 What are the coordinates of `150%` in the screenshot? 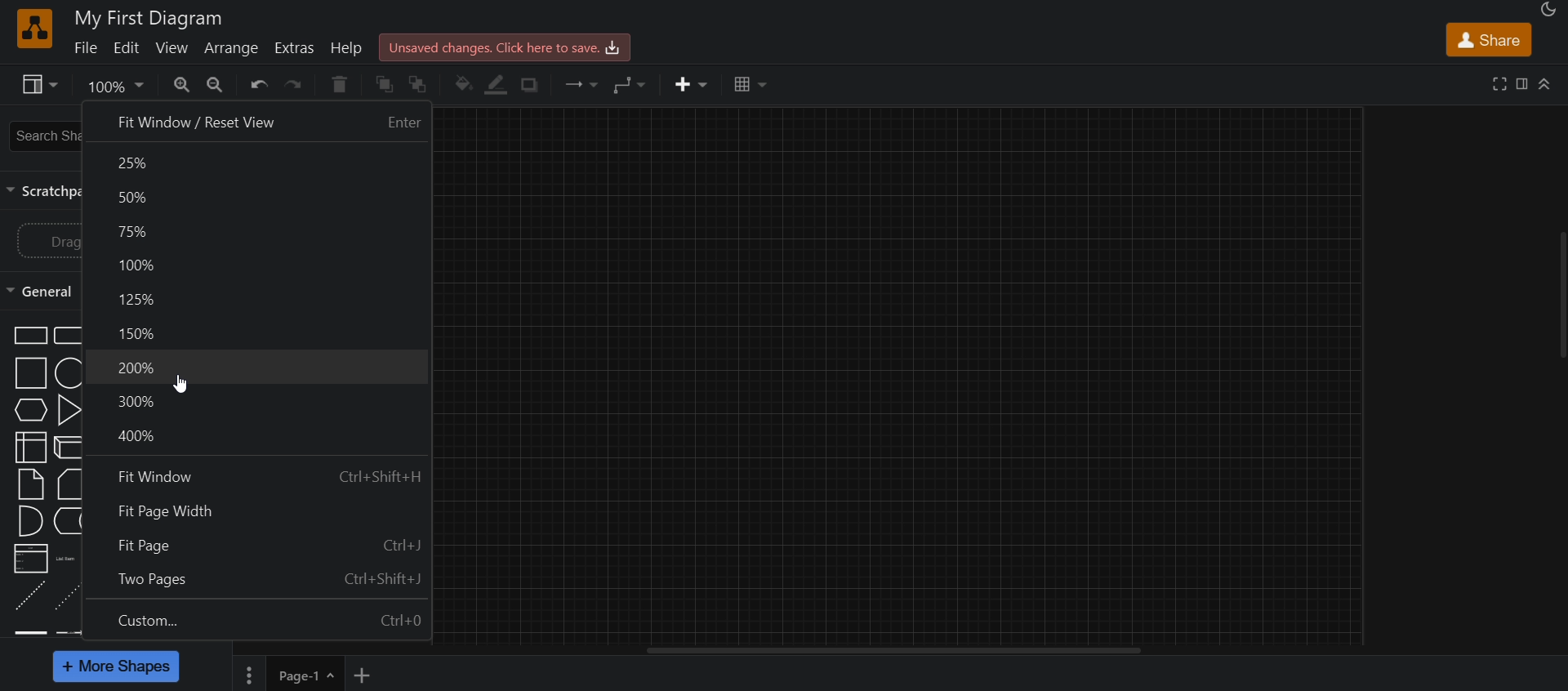 It's located at (261, 332).